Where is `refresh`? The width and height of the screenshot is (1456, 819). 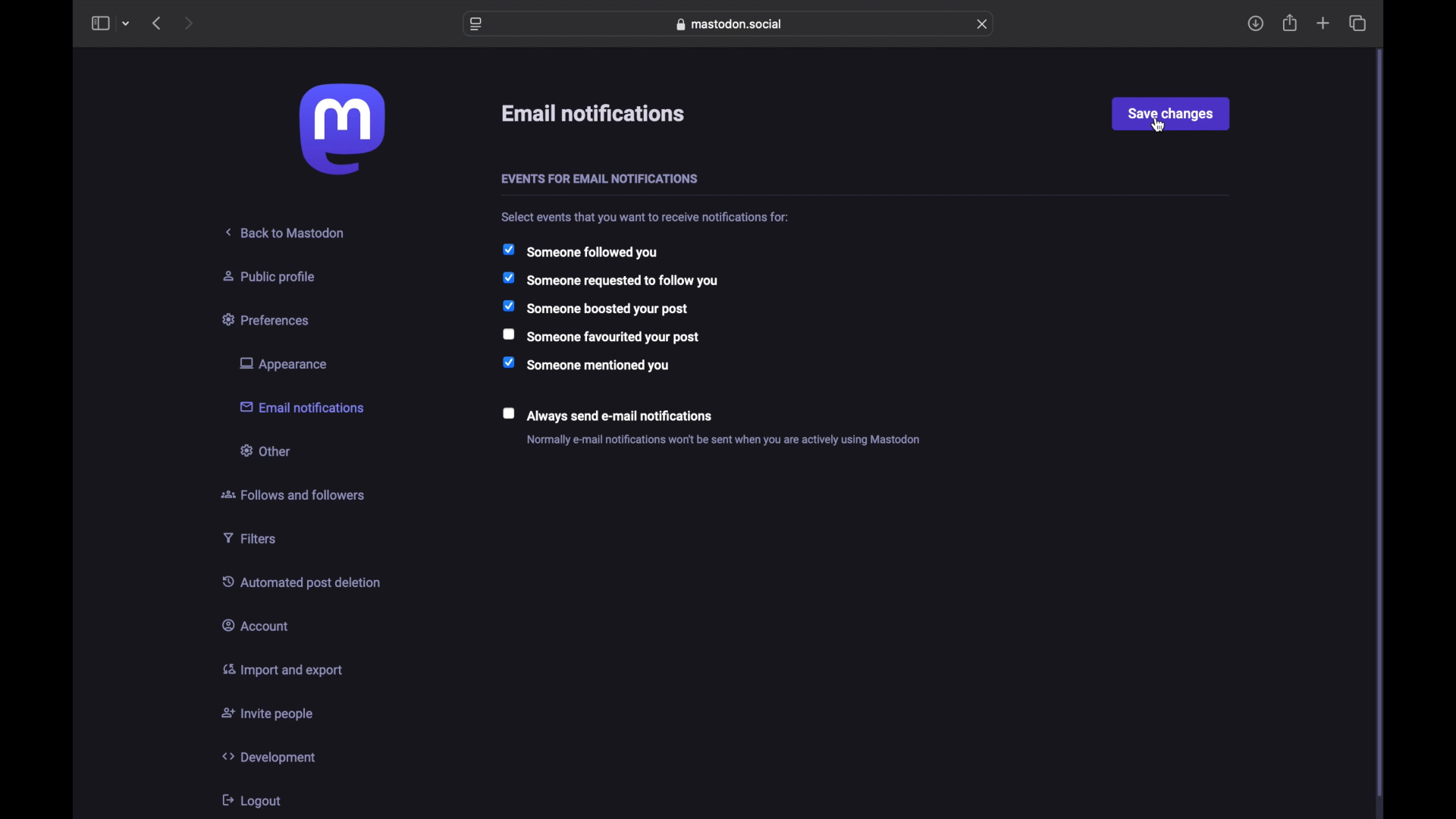 refresh is located at coordinates (981, 24).